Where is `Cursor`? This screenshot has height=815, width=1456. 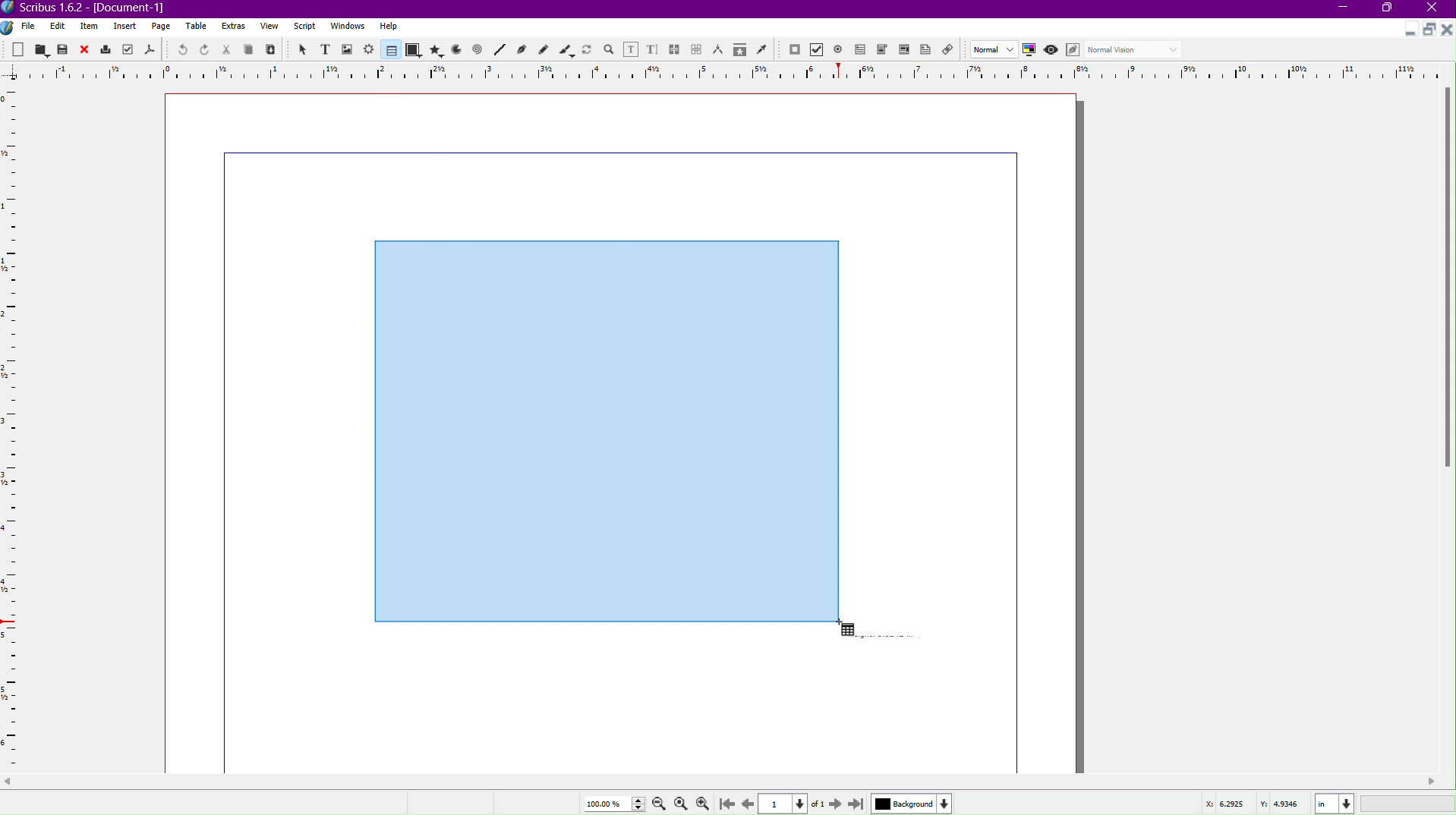 Cursor is located at coordinates (845, 630).